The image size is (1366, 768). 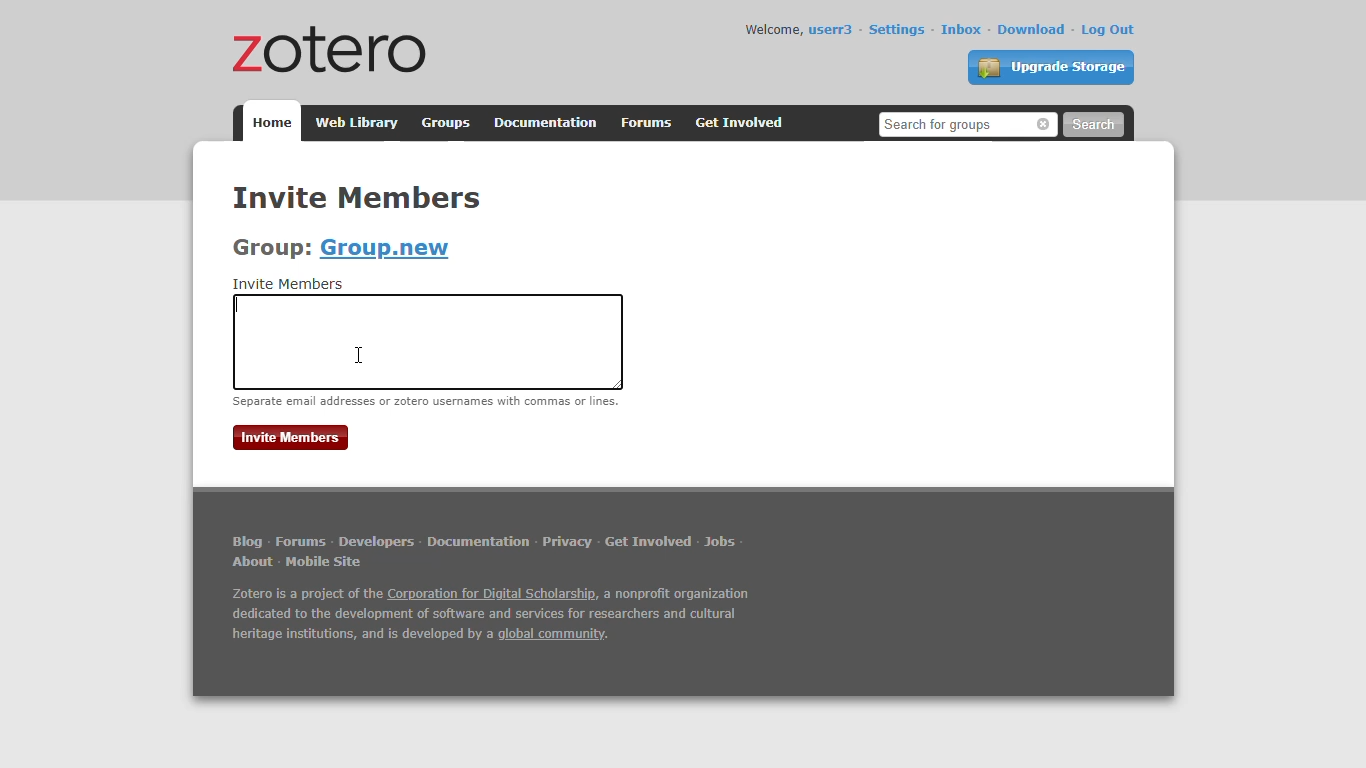 What do you see at coordinates (300, 541) in the screenshot?
I see `forums` at bounding box center [300, 541].